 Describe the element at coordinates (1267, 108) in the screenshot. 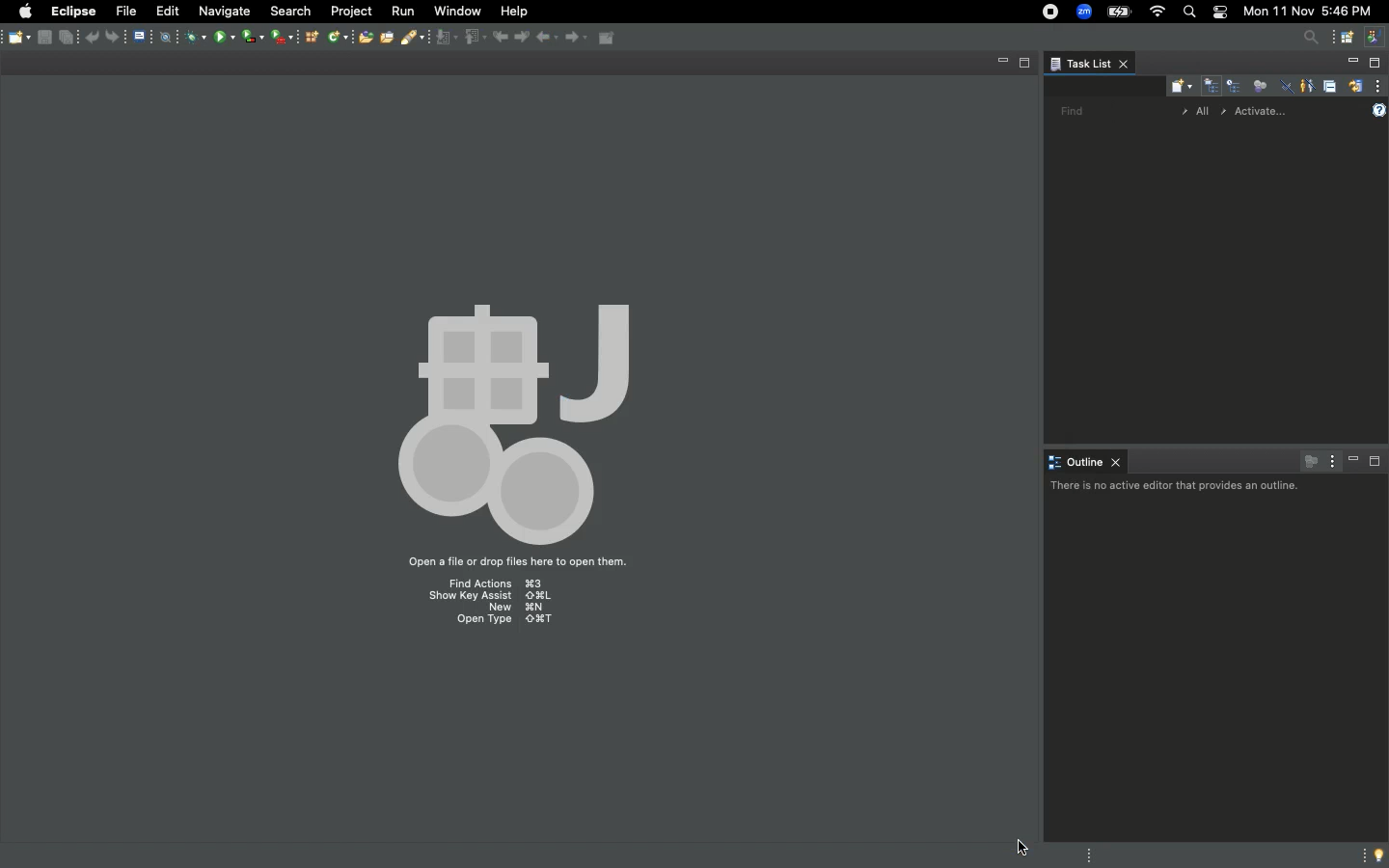

I see `Activate` at that location.